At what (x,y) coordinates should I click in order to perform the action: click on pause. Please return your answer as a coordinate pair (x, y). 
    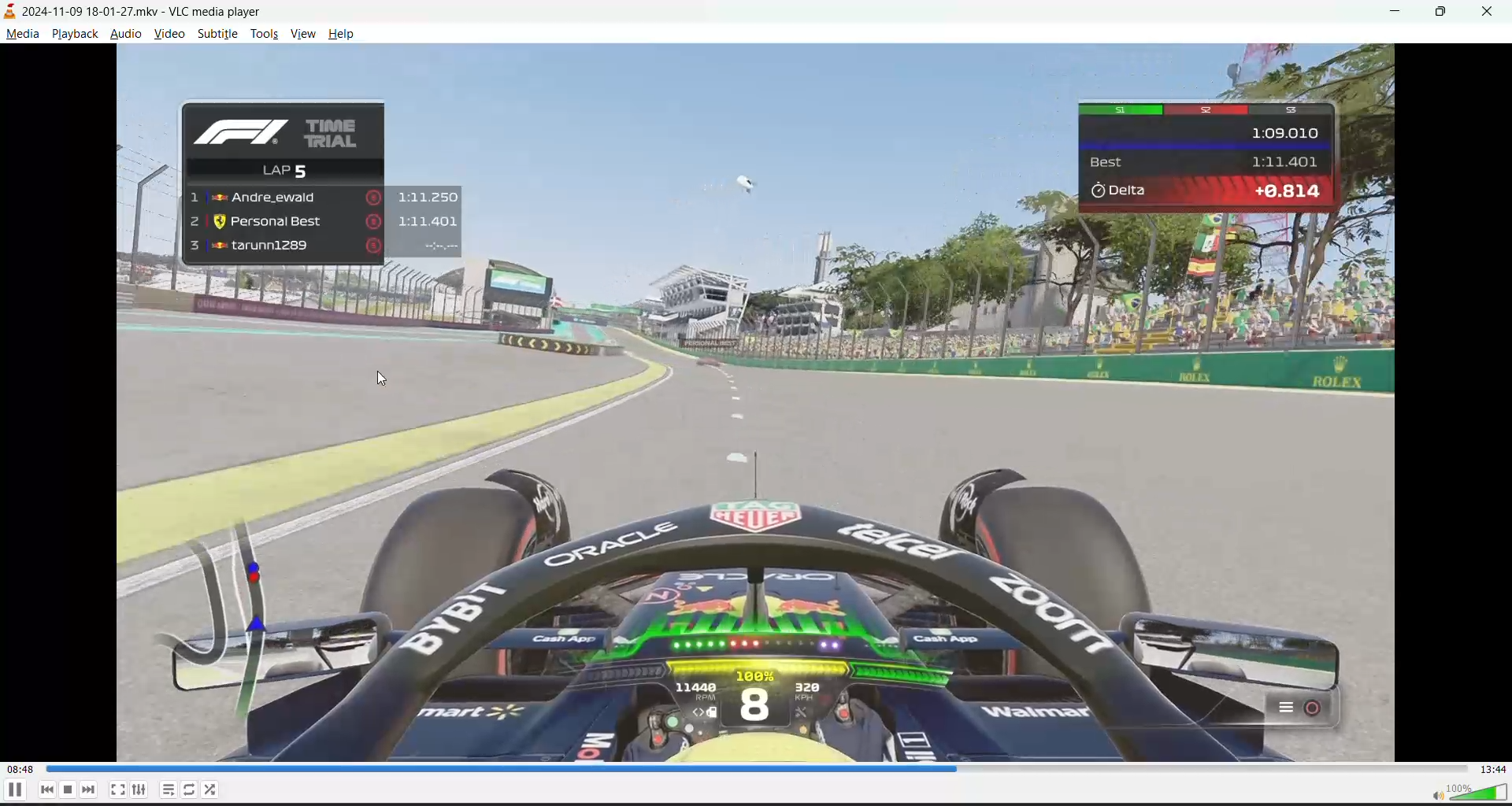
    Looking at the image, I should click on (13, 790).